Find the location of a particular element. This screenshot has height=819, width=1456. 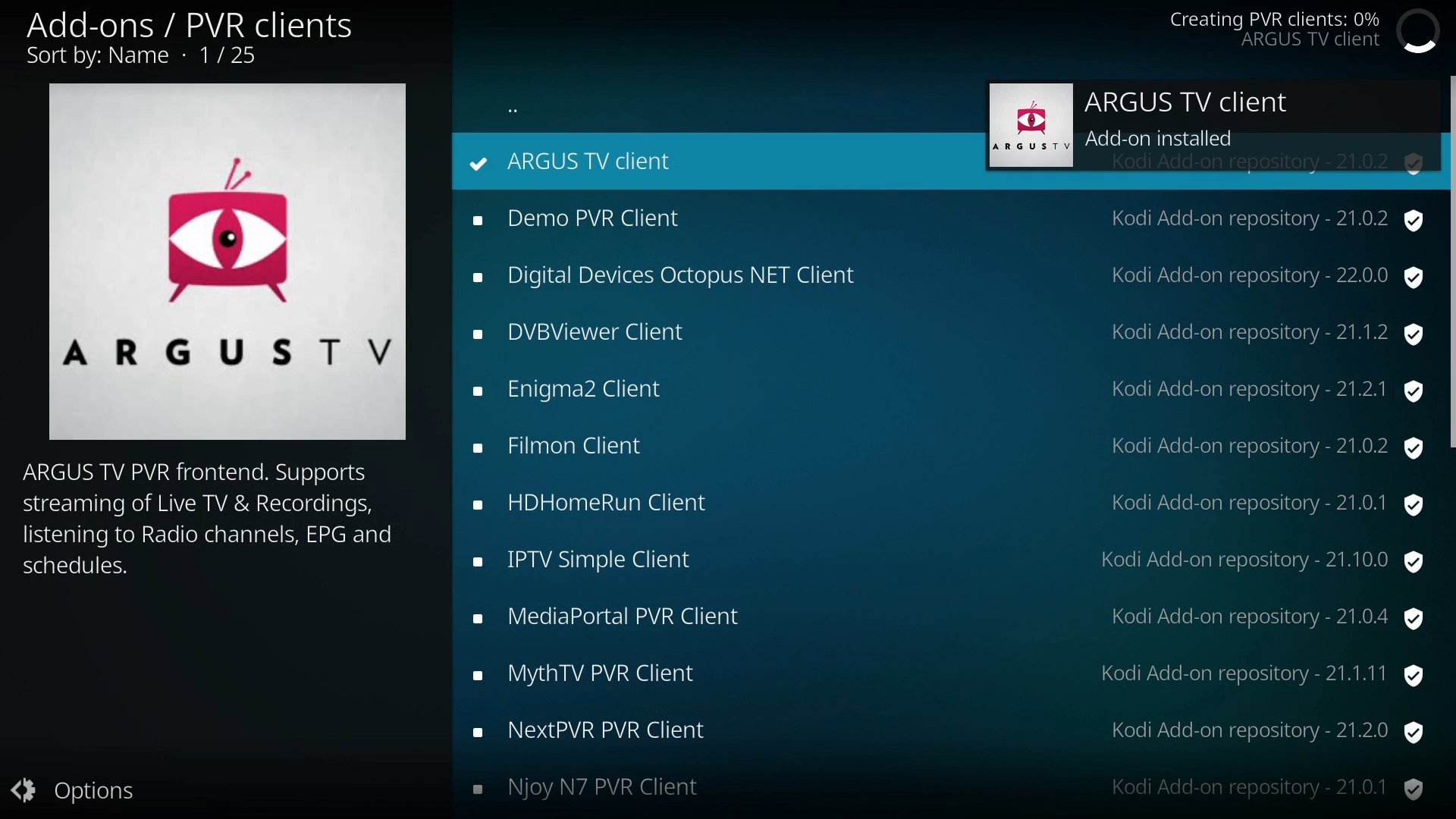

Digital Devices Octopus NET Client Kodi Add-on repository - 22.0.0 is located at coordinates (946, 275).